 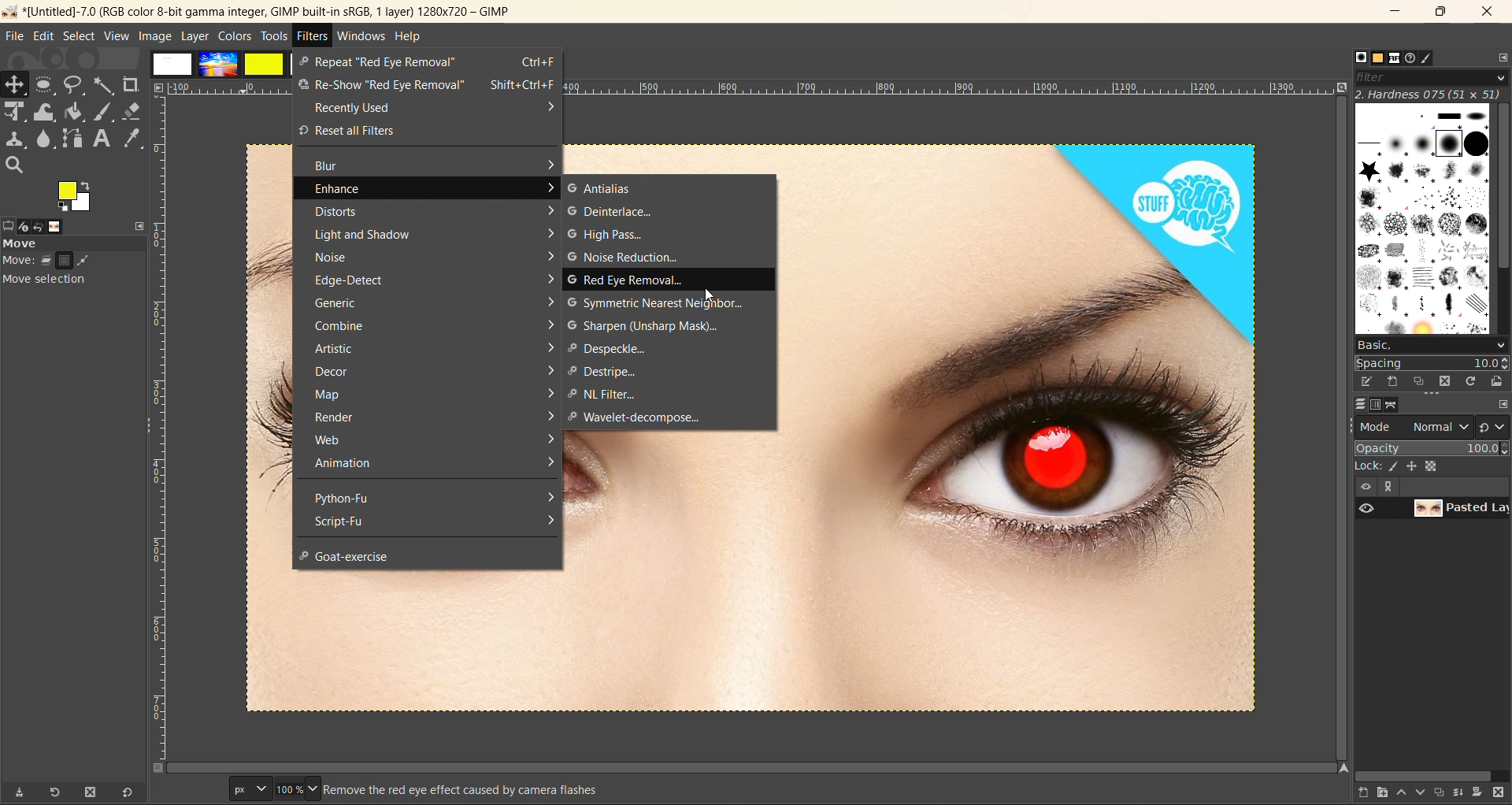 What do you see at coordinates (1433, 365) in the screenshot?
I see `spacing` at bounding box center [1433, 365].